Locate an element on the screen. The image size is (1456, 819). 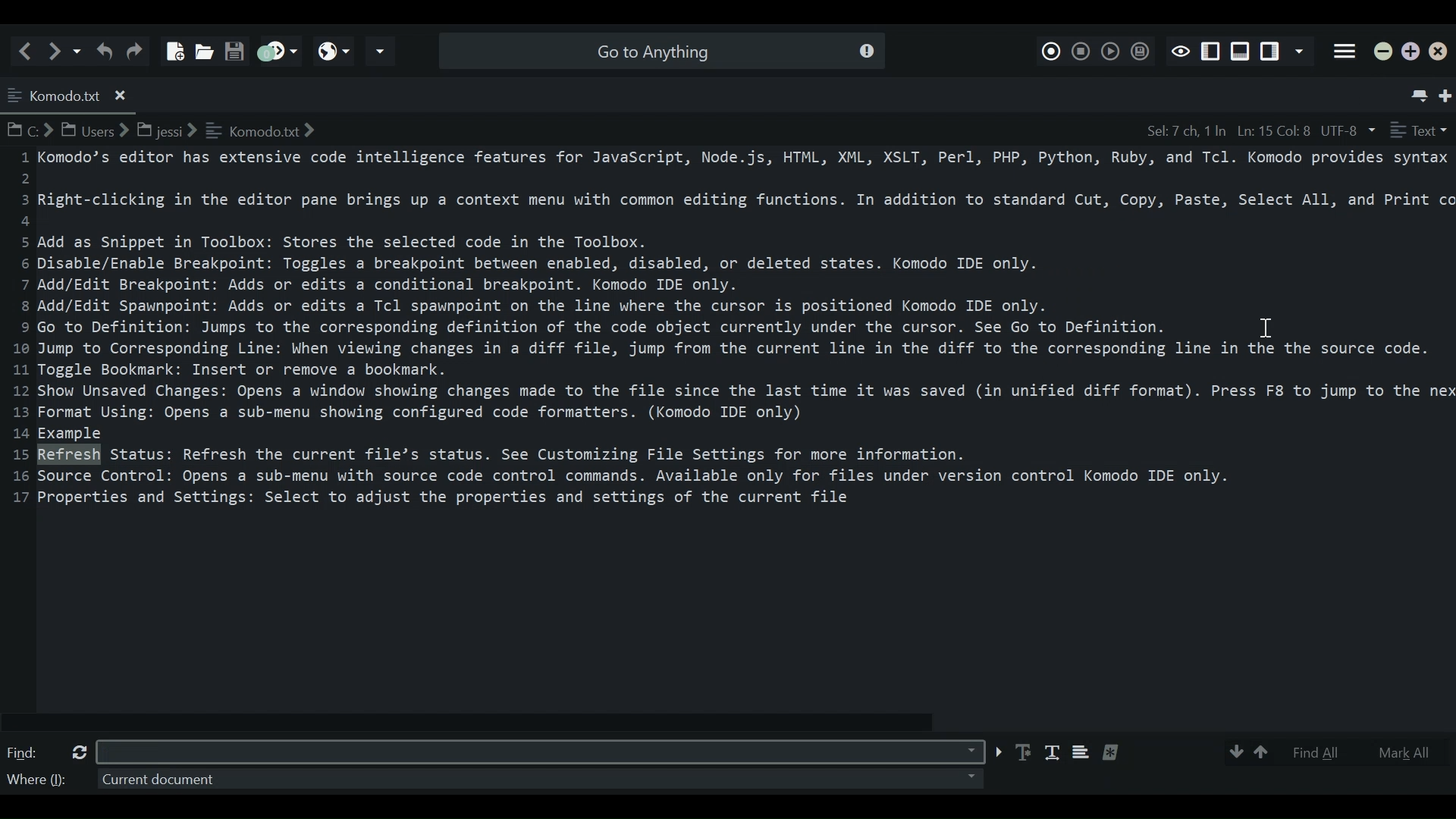
Arrow down is located at coordinates (1263, 752).